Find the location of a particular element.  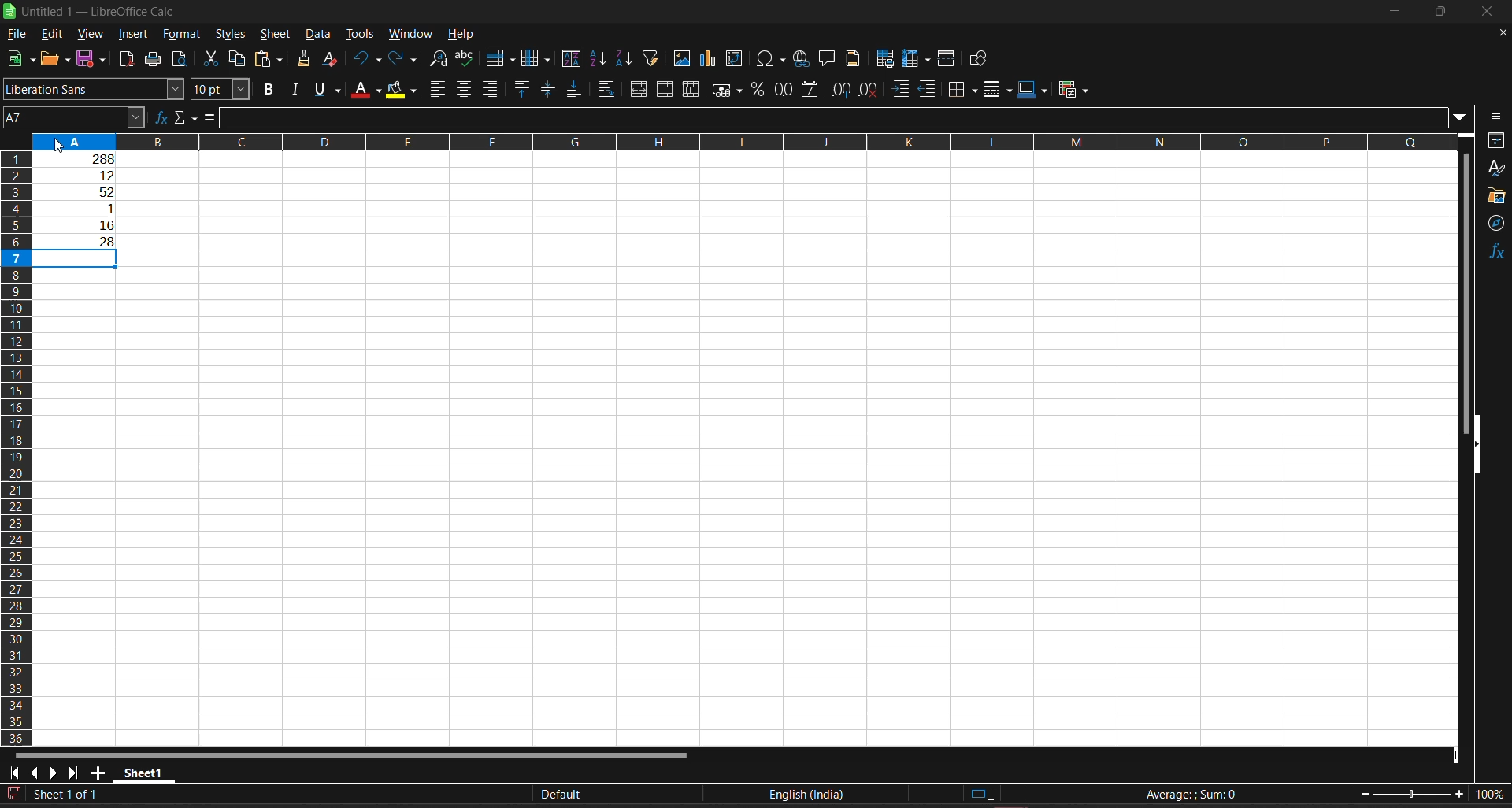

toggle print preview is located at coordinates (180, 58).